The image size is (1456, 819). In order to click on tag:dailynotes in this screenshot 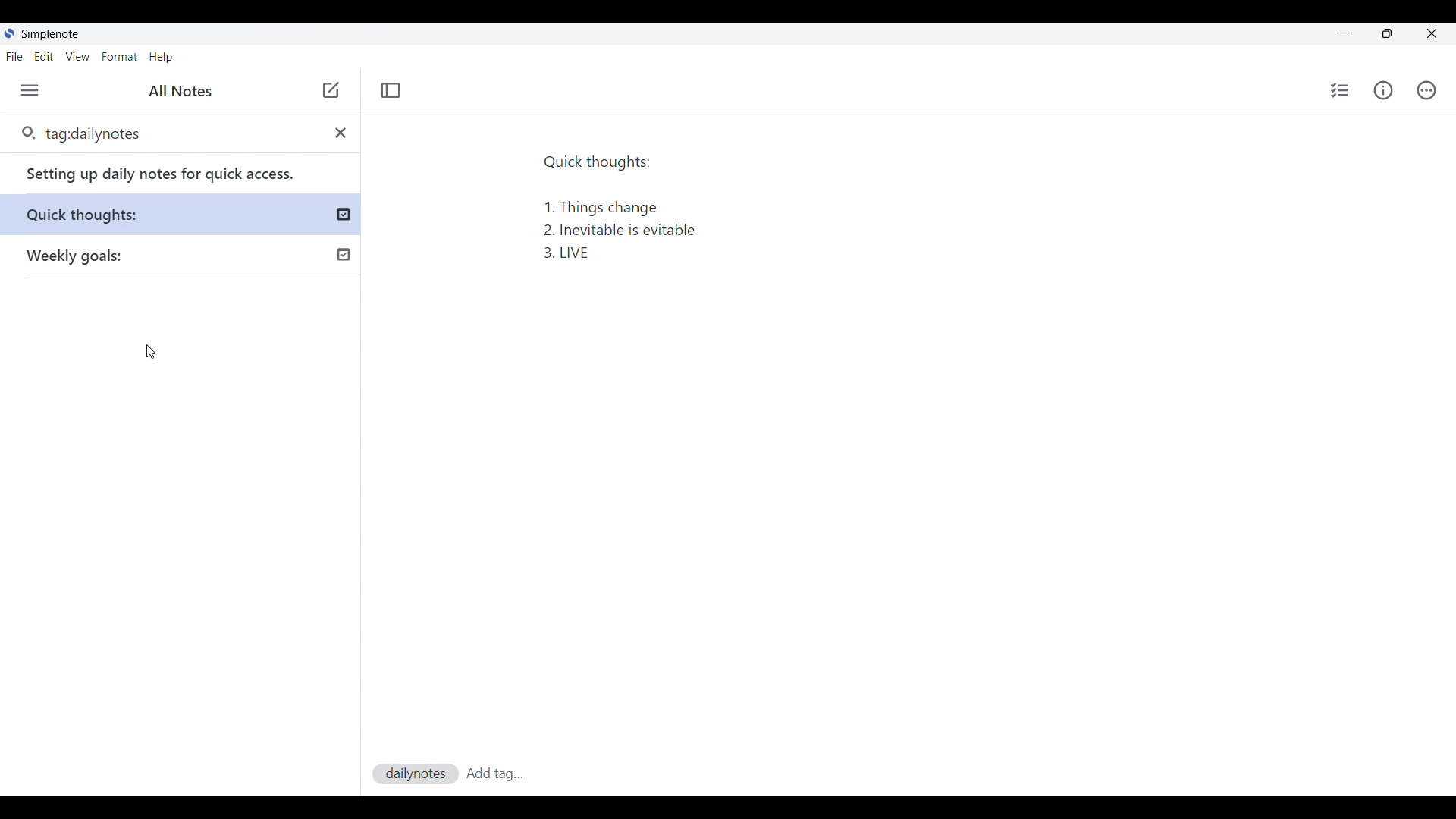, I will do `click(155, 132)`.